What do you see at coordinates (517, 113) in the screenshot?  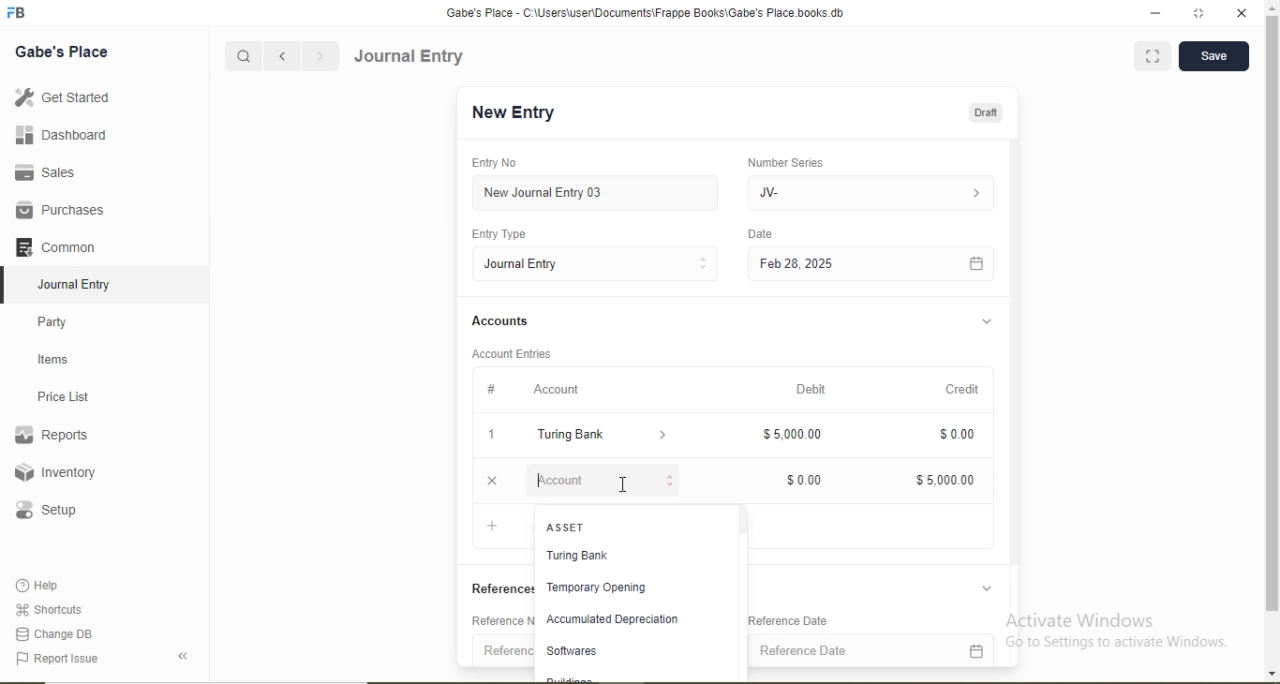 I see `New Entry` at bounding box center [517, 113].